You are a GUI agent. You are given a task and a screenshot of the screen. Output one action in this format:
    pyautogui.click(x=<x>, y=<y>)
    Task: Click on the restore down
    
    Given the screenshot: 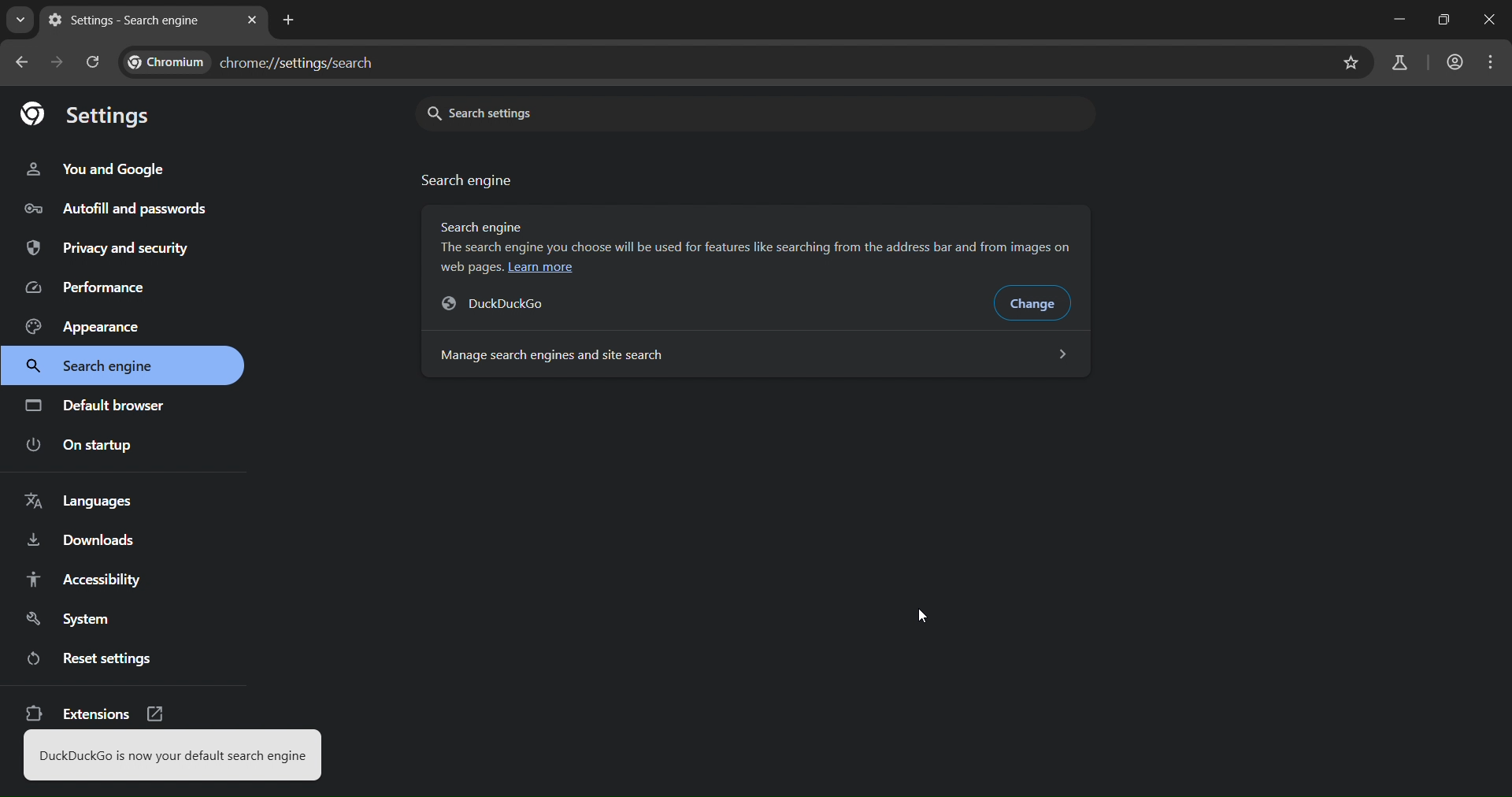 What is the action you would take?
    pyautogui.click(x=1444, y=21)
    